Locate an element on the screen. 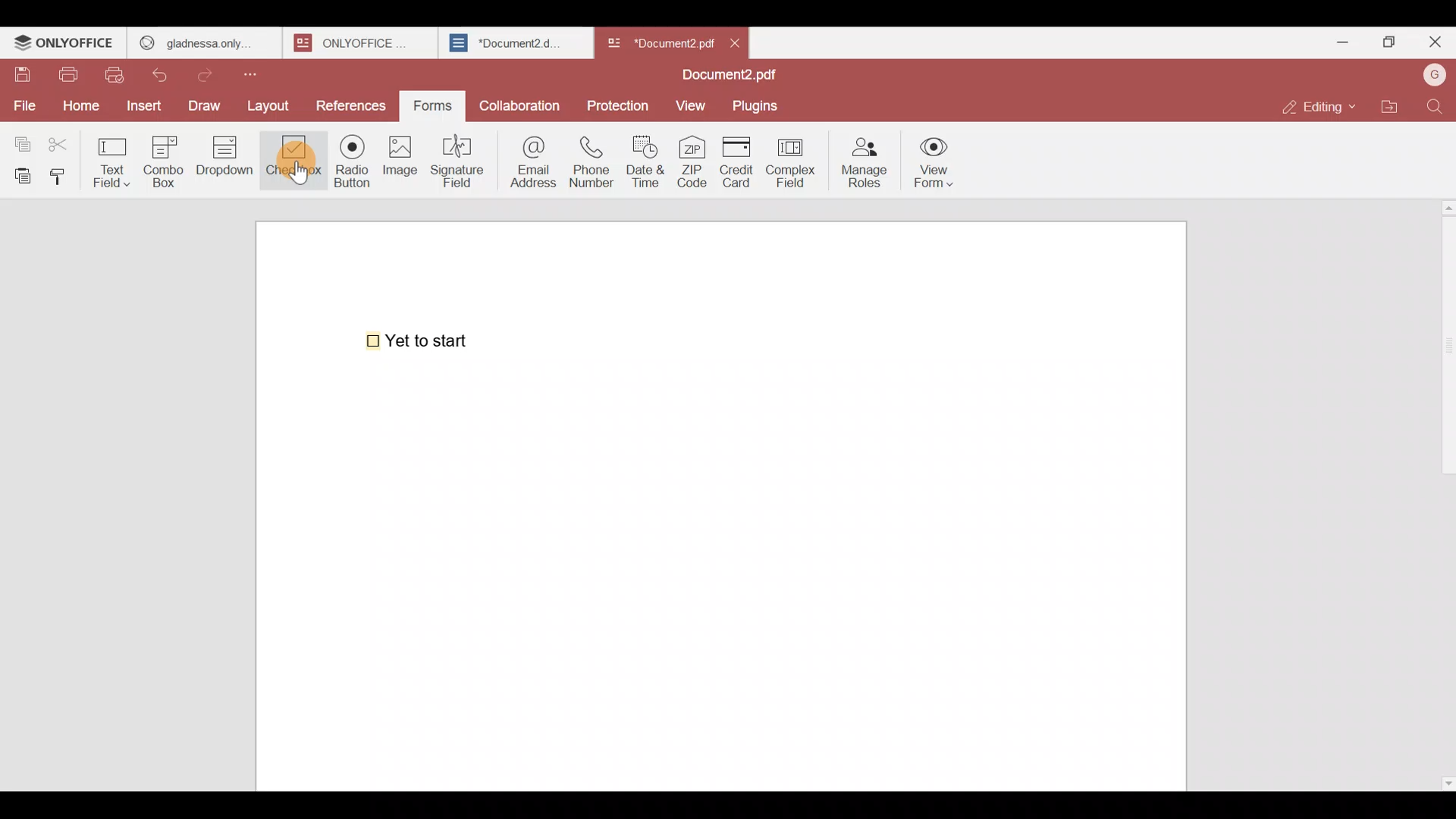  Plugins is located at coordinates (761, 106).